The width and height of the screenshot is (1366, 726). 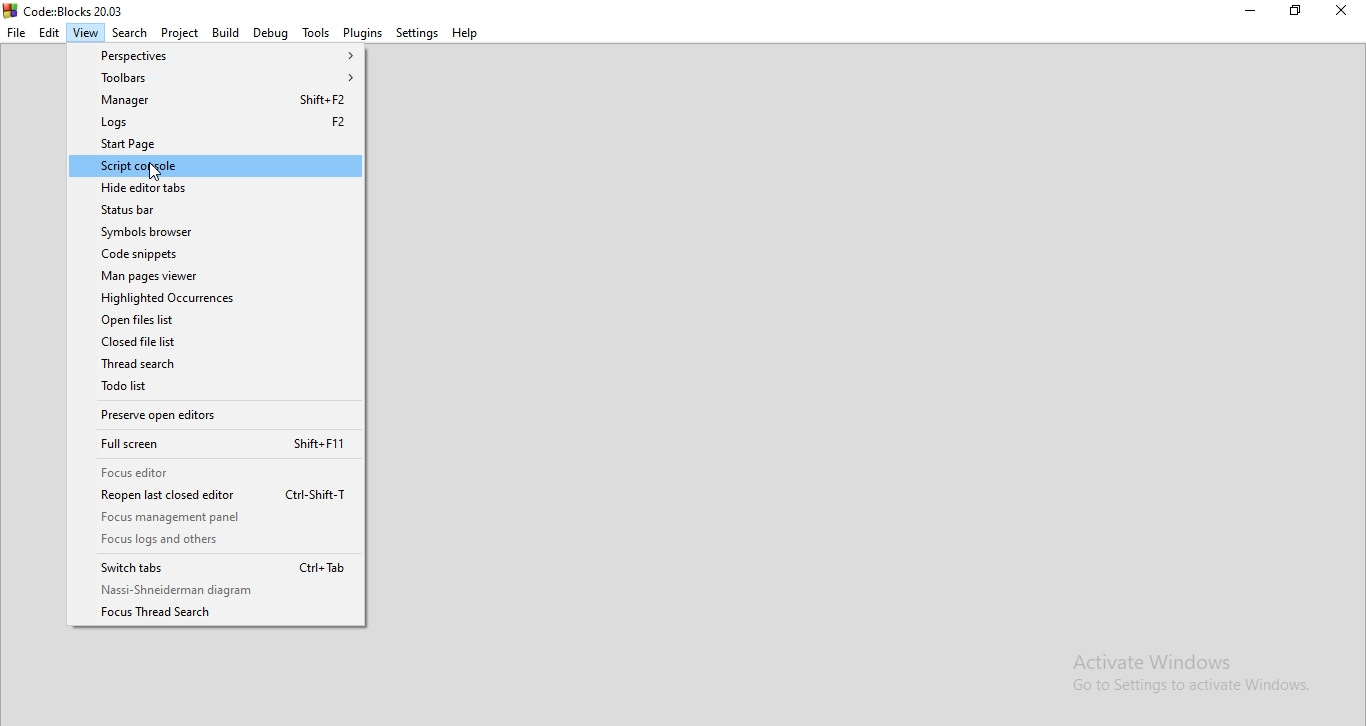 I want to click on Status bar, so click(x=217, y=210).